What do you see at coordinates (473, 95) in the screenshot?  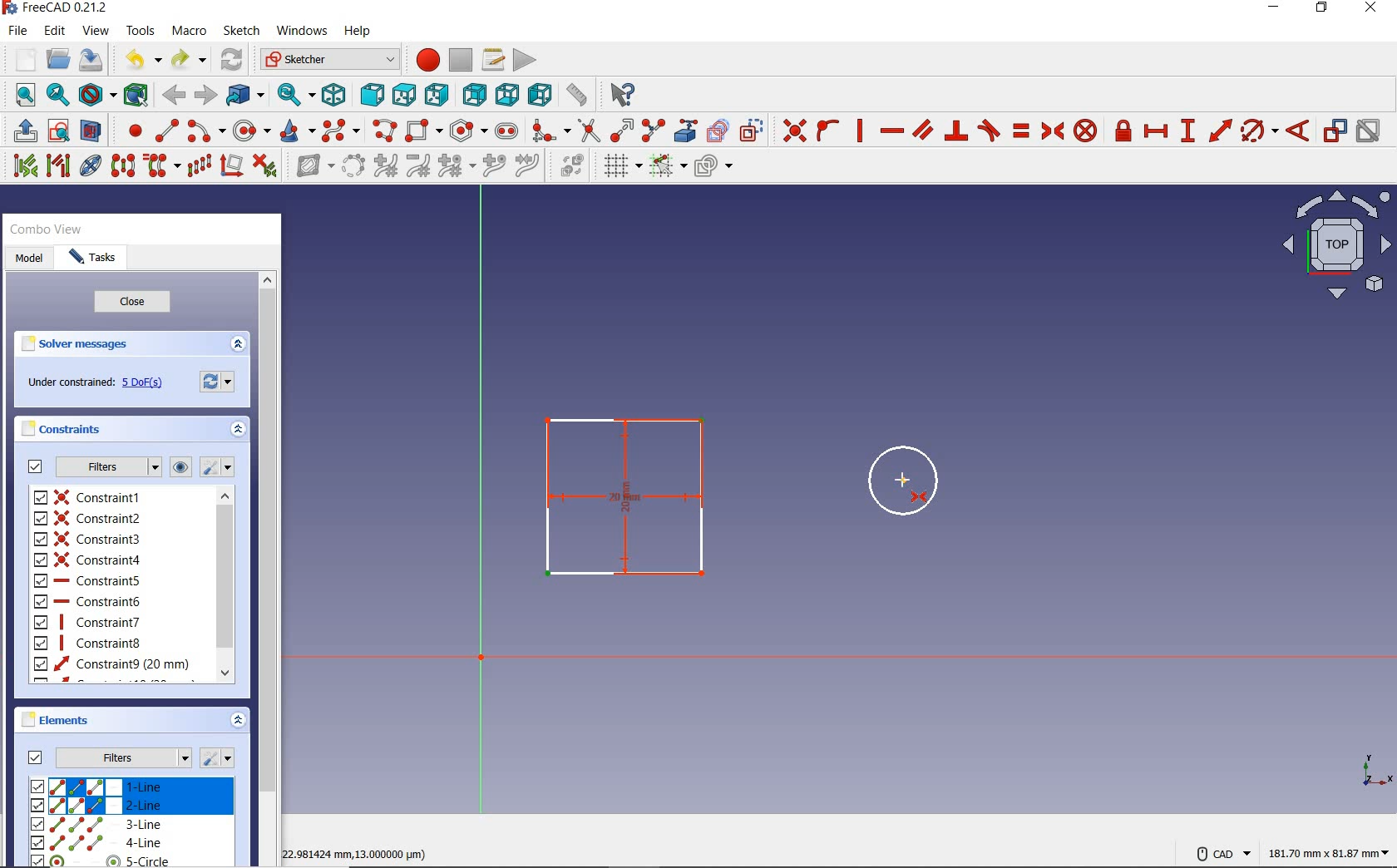 I see `rear` at bounding box center [473, 95].